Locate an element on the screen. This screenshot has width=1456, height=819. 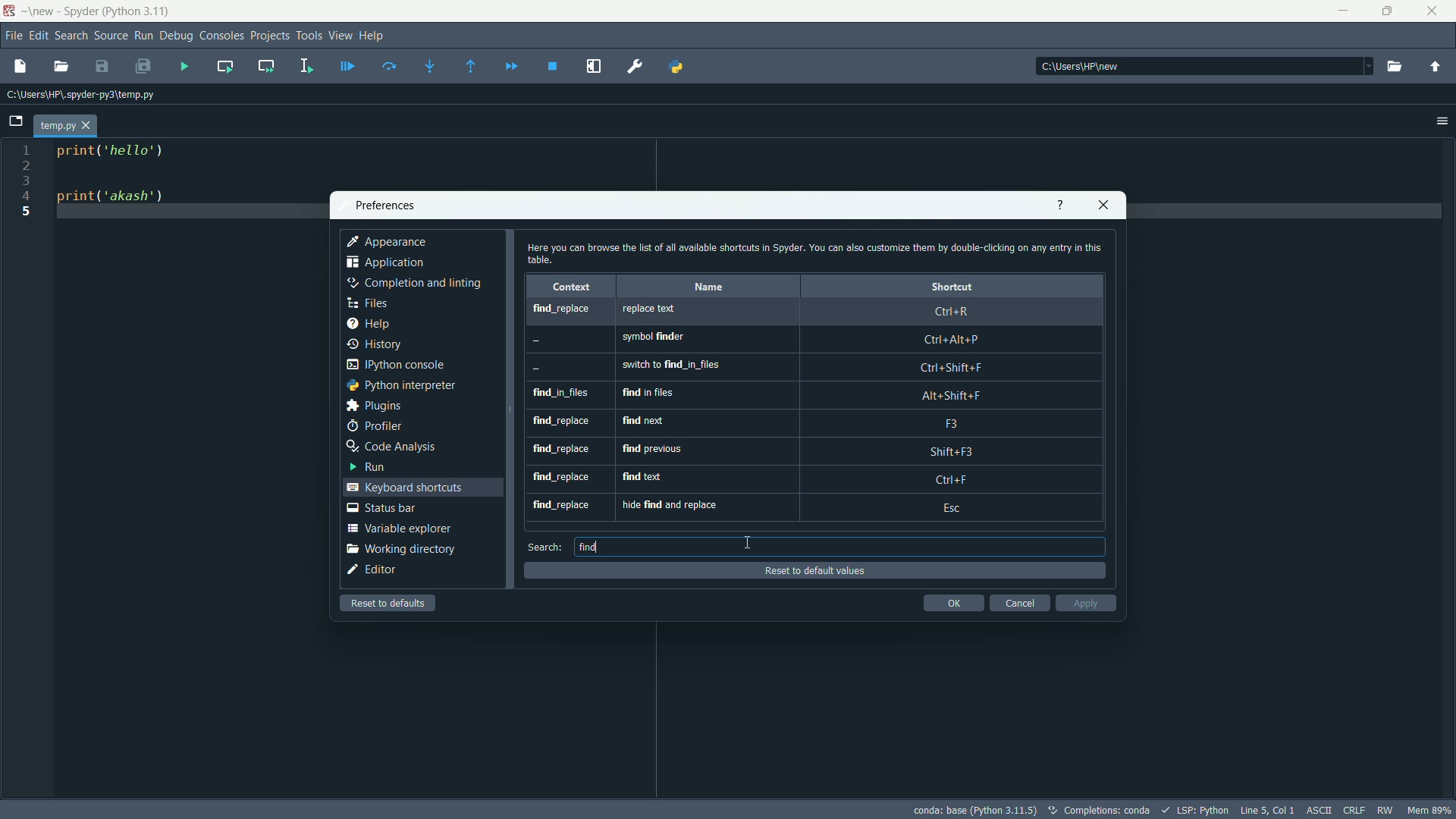
browse directory is located at coordinates (1395, 67).